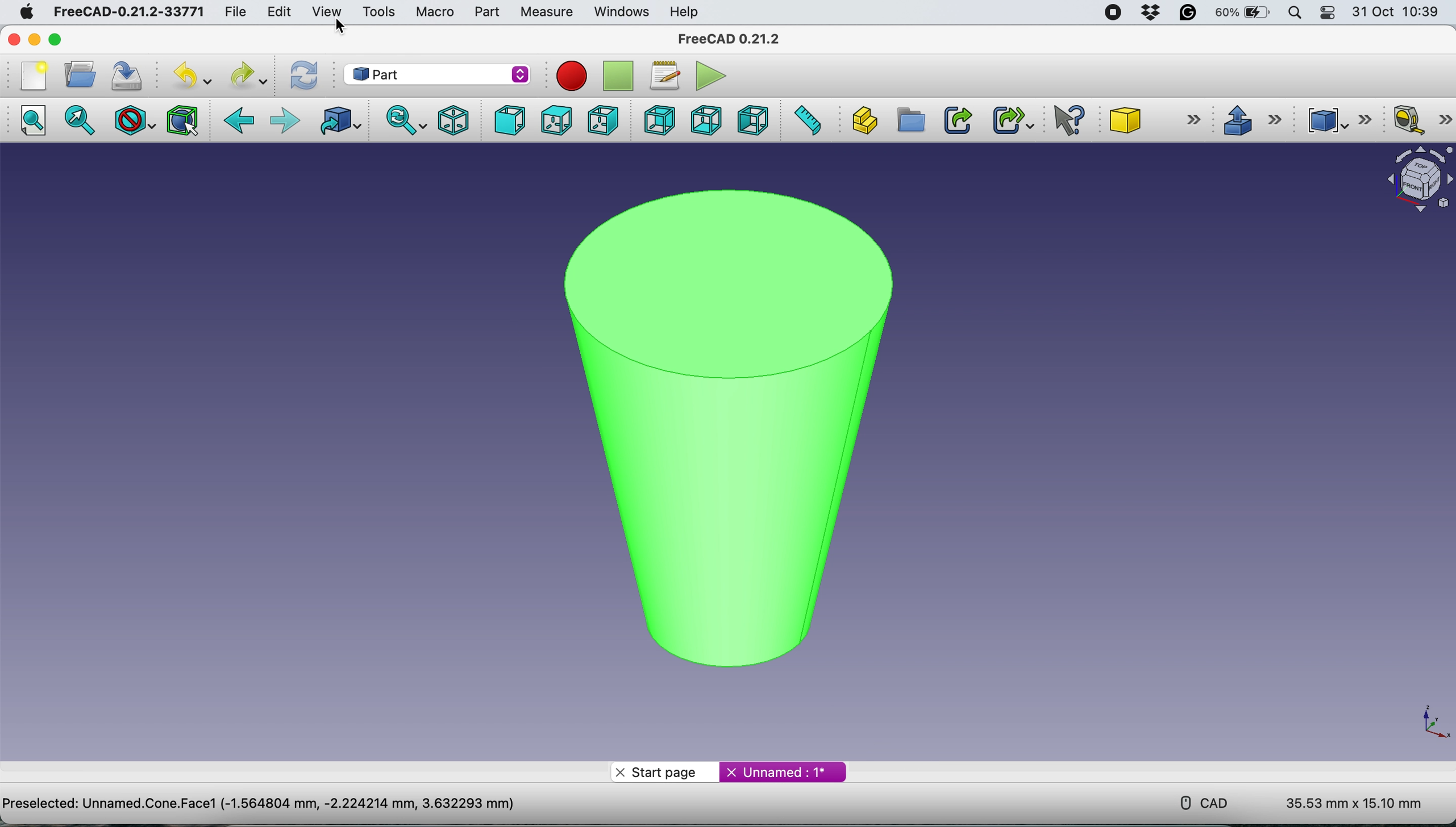  What do you see at coordinates (664, 771) in the screenshot?
I see `start page` at bounding box center [664, 771].